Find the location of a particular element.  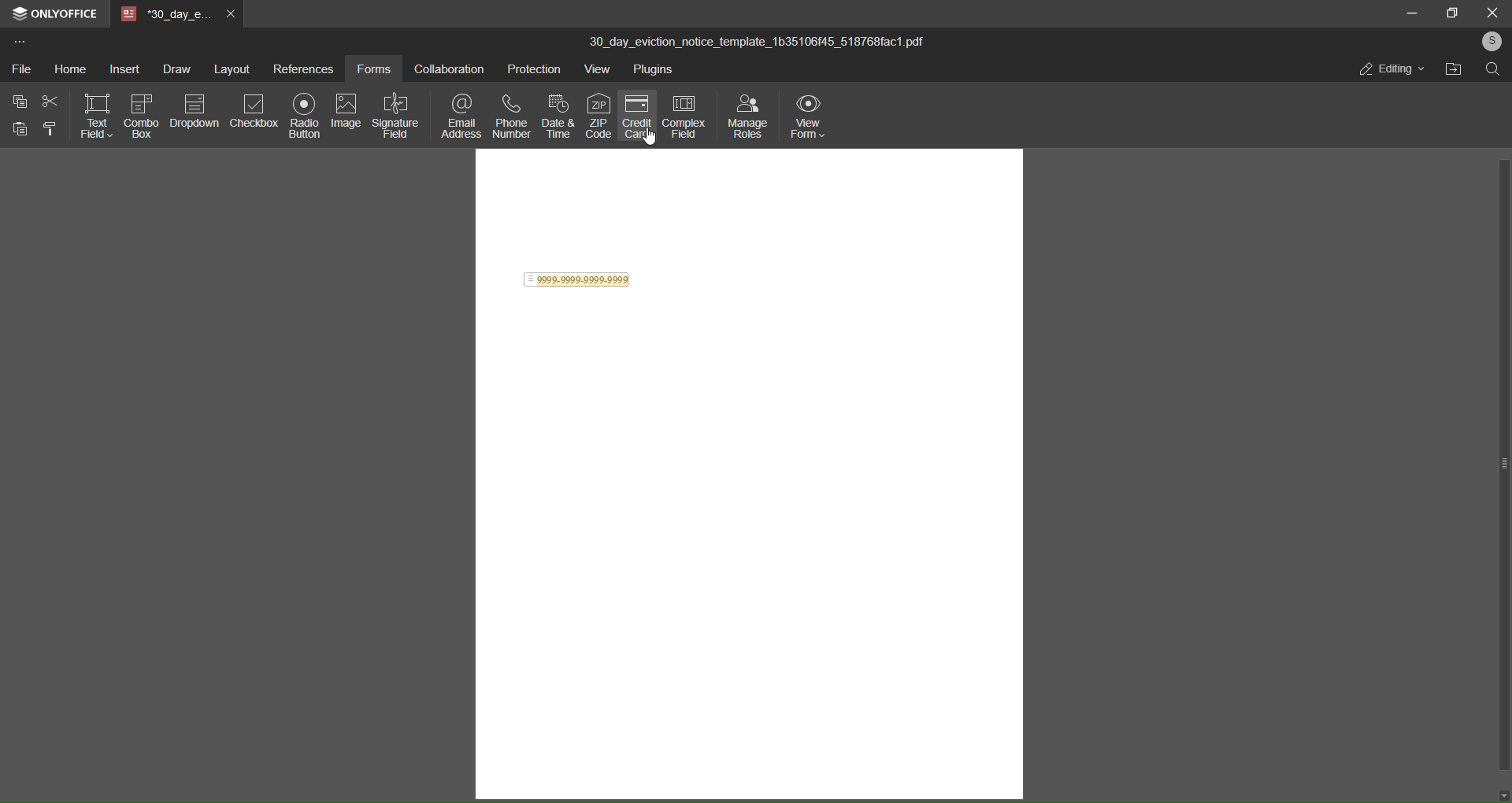

dropdown is located at coordinates (195, 112).